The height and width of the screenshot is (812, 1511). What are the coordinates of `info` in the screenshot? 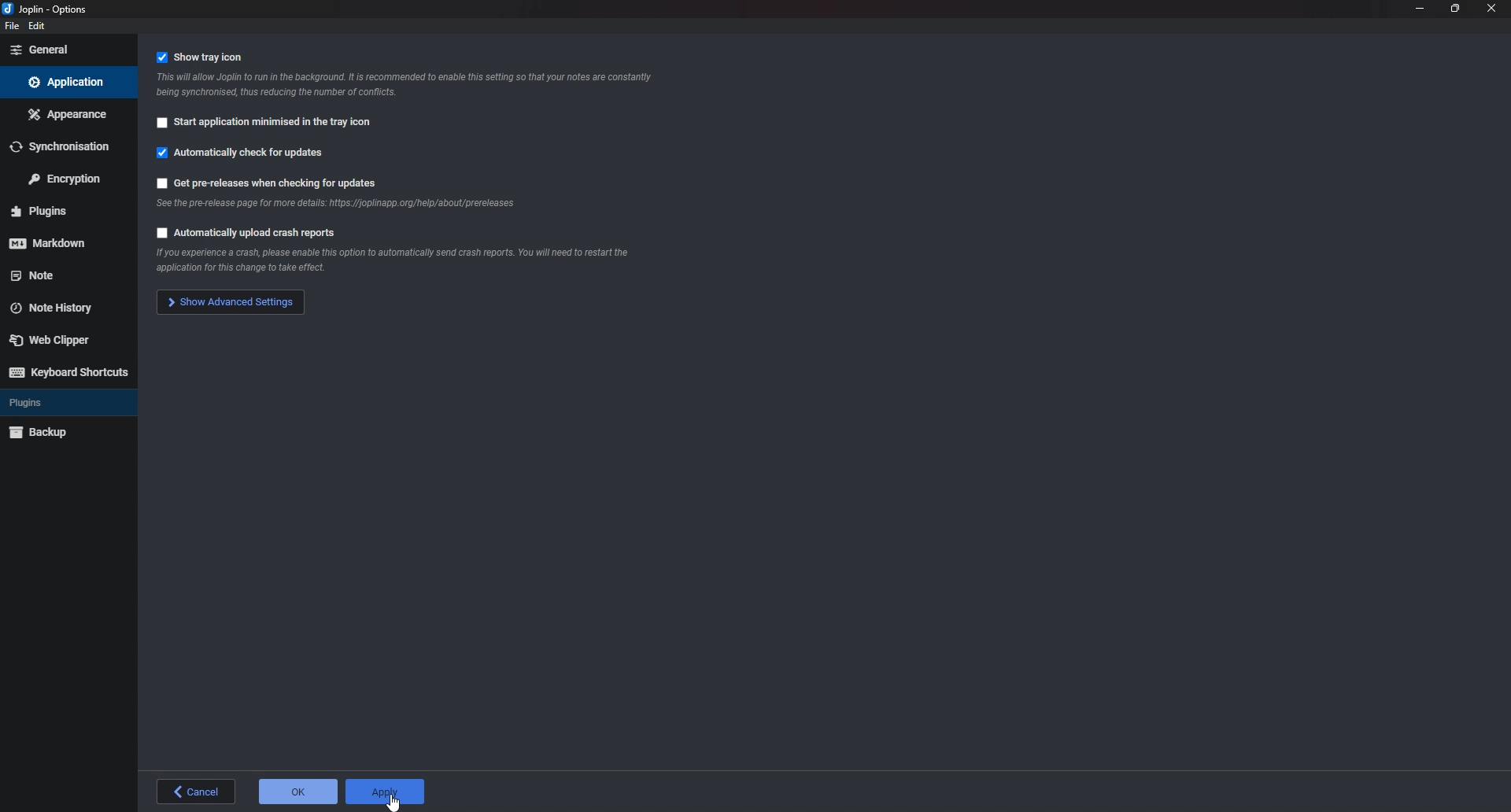 It's located at (388, 262).